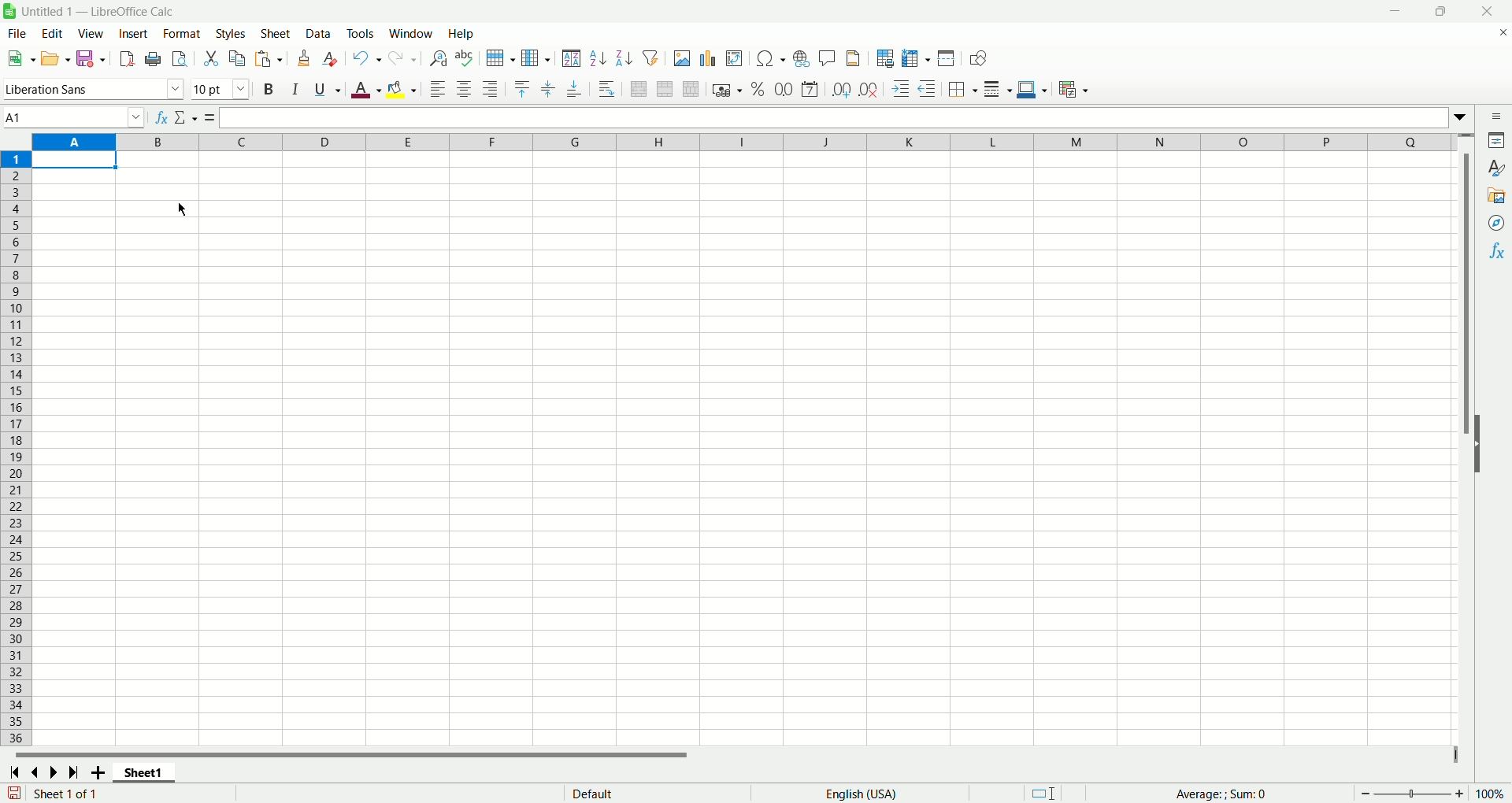 This screenshot has width=1512, height=803. I want to click on file, so click(14, 35).